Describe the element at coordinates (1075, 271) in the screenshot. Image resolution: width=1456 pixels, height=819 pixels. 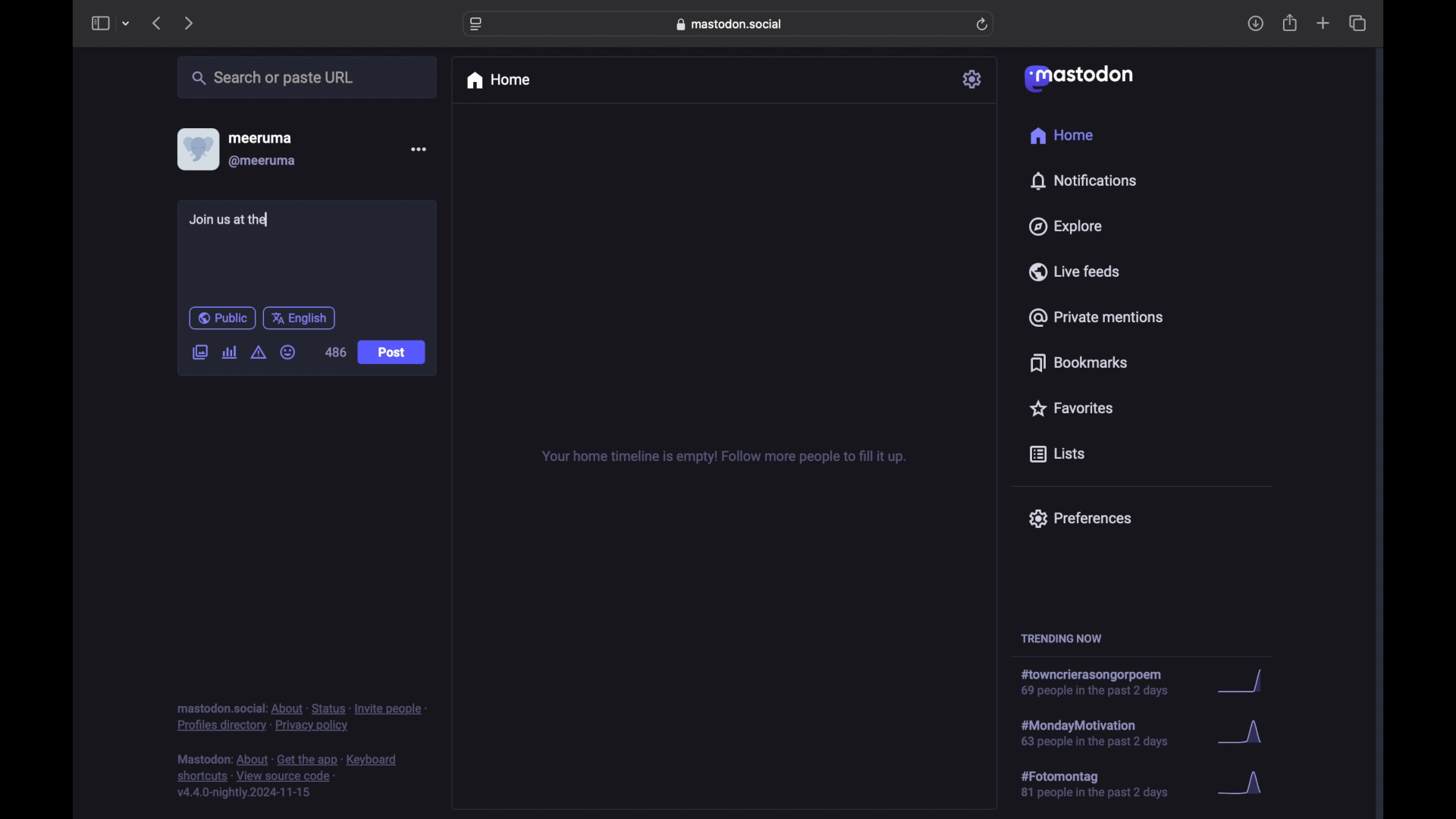
I see `live feeds` at that location.